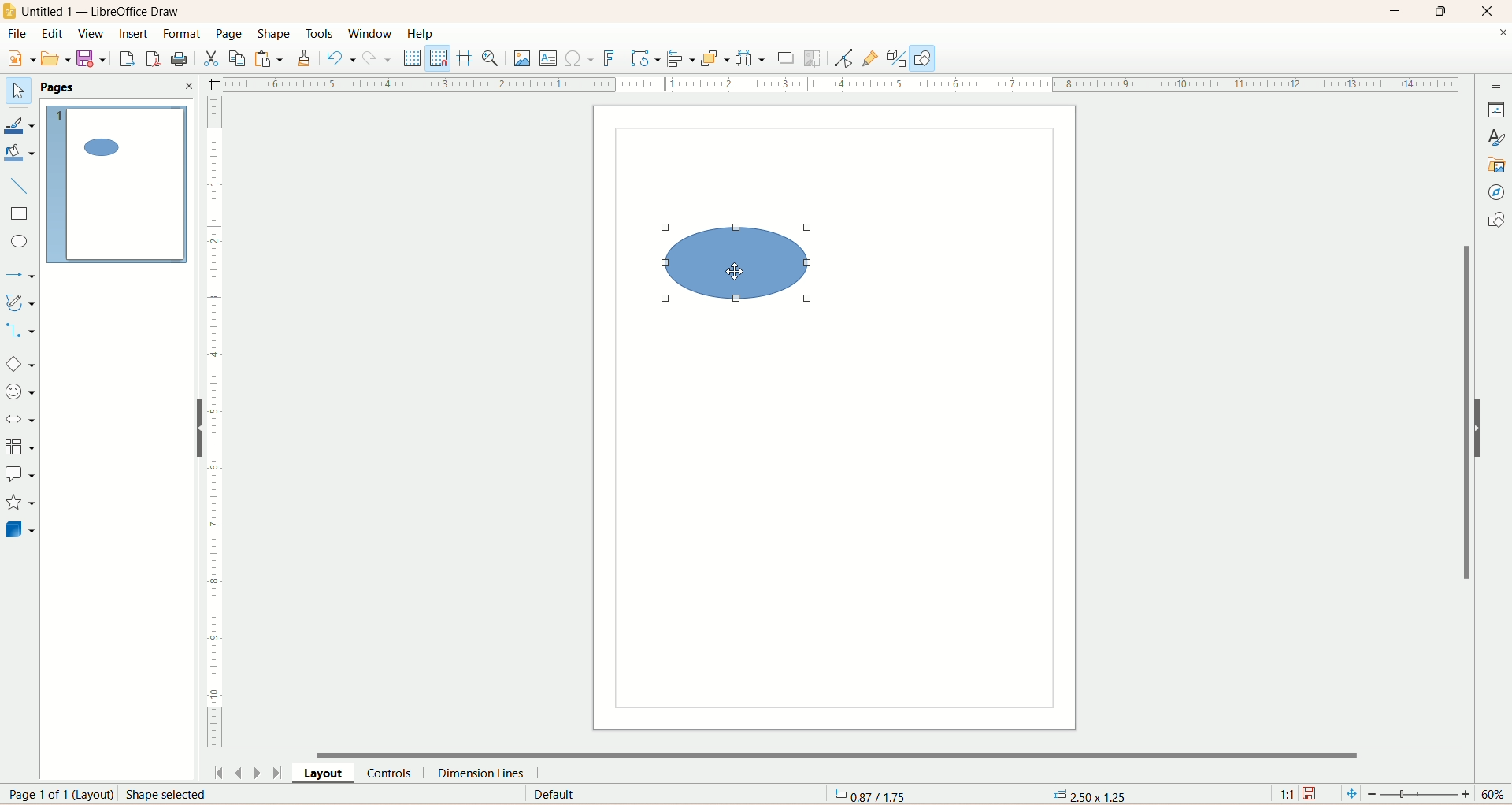 The width and height of the screenshot is (1512, 805). What do you see at coordinates (424, 35) in the screenshot?
I see `help` at bounding box center [424, 35].